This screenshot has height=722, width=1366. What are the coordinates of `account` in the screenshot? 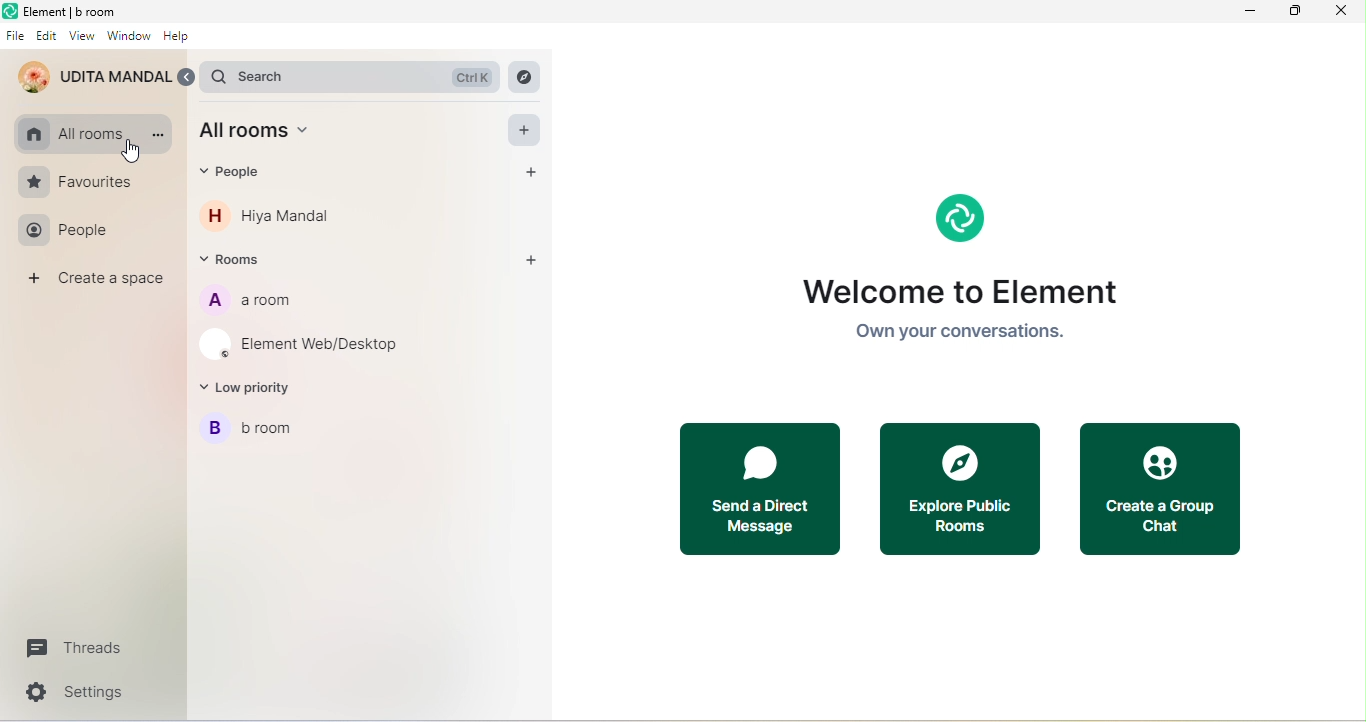 It's located at (94, 78).